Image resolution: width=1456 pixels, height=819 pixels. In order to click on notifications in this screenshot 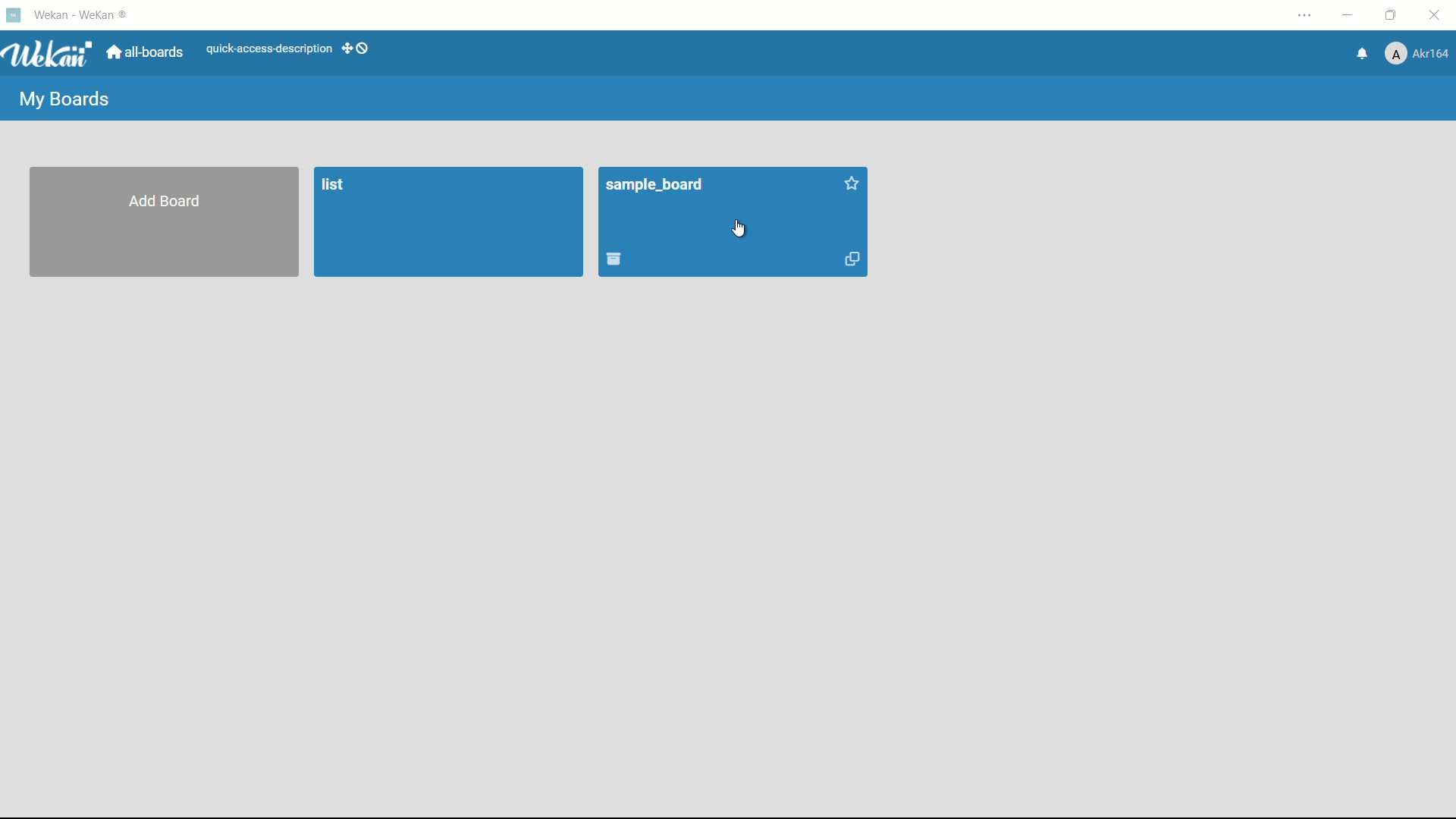, I will do `click(1363, 54)`.